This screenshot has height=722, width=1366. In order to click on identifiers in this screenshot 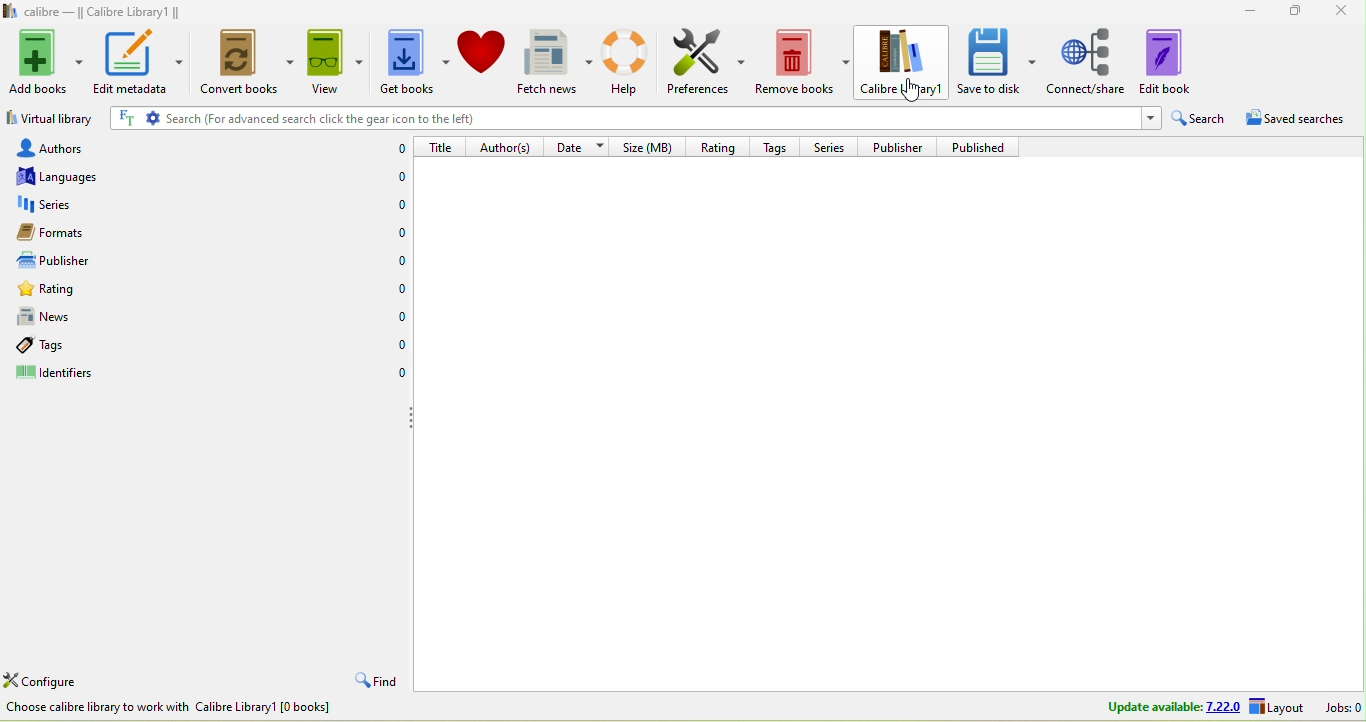, I will do `click(75, 375)`.